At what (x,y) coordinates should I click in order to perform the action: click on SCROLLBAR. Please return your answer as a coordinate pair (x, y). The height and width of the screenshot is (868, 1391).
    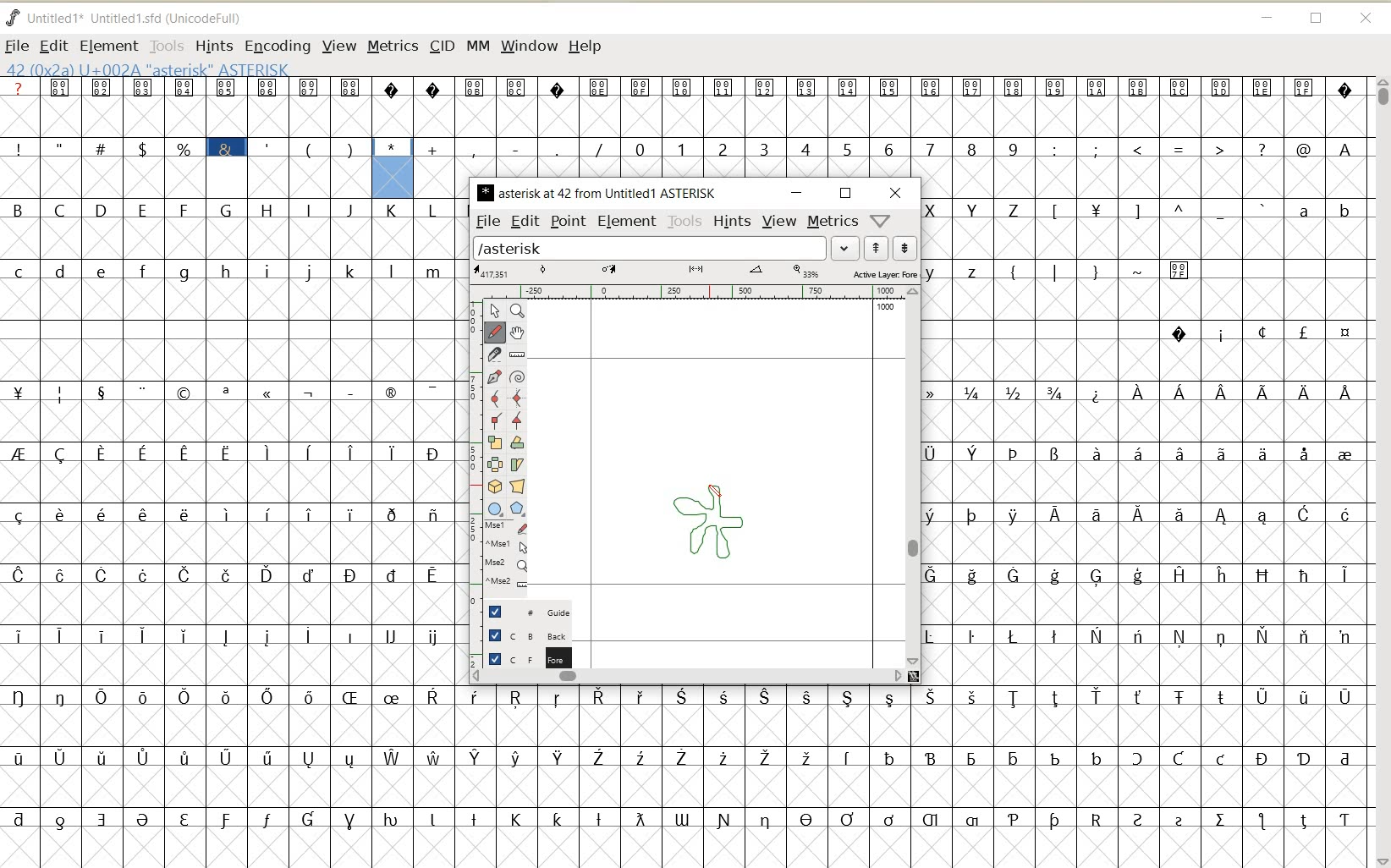
    Looking at the image, I should click on (1381, 471).